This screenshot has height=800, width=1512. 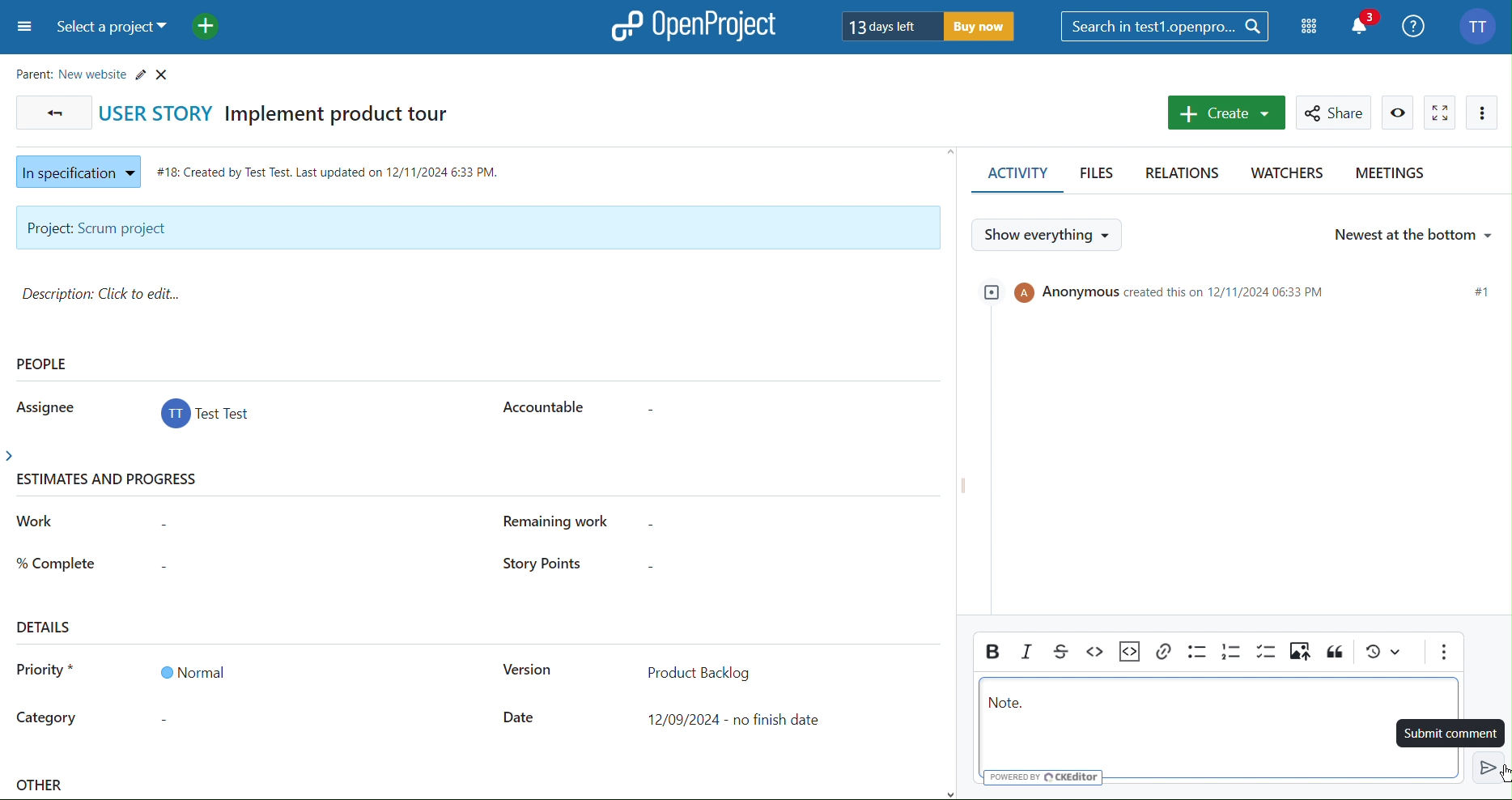 What do you see at coordinates (208, 416) in the screenshot?
I see `Account` at bounding box center [208, 416].